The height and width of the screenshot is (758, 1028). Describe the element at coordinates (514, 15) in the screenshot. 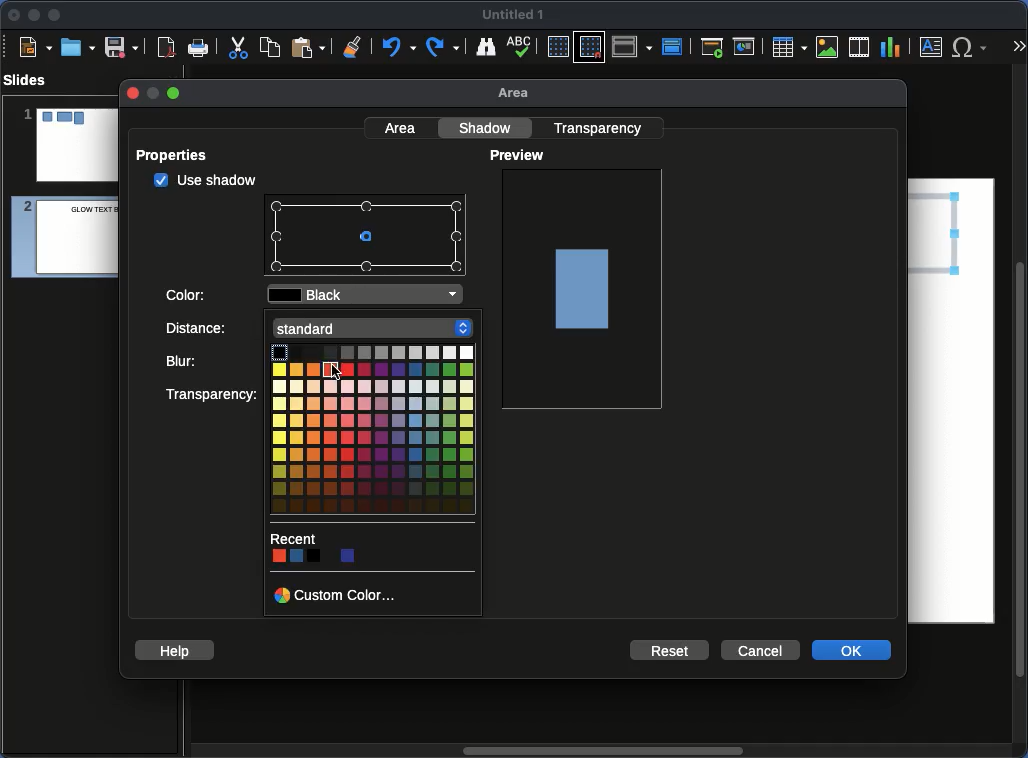

I see `Name` at that location.